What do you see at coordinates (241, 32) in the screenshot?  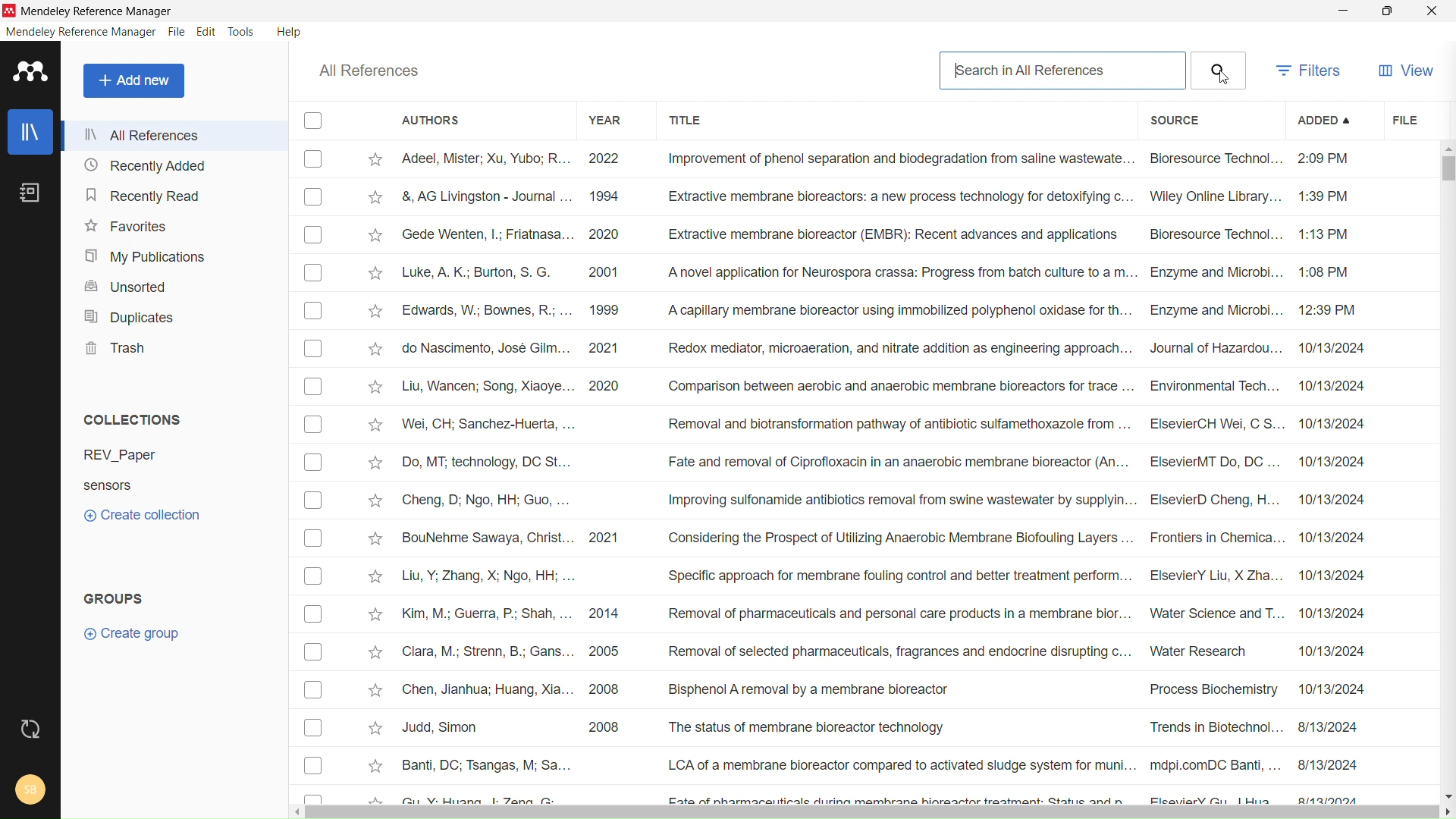 I see `tools` at bounding box center [241, 32].